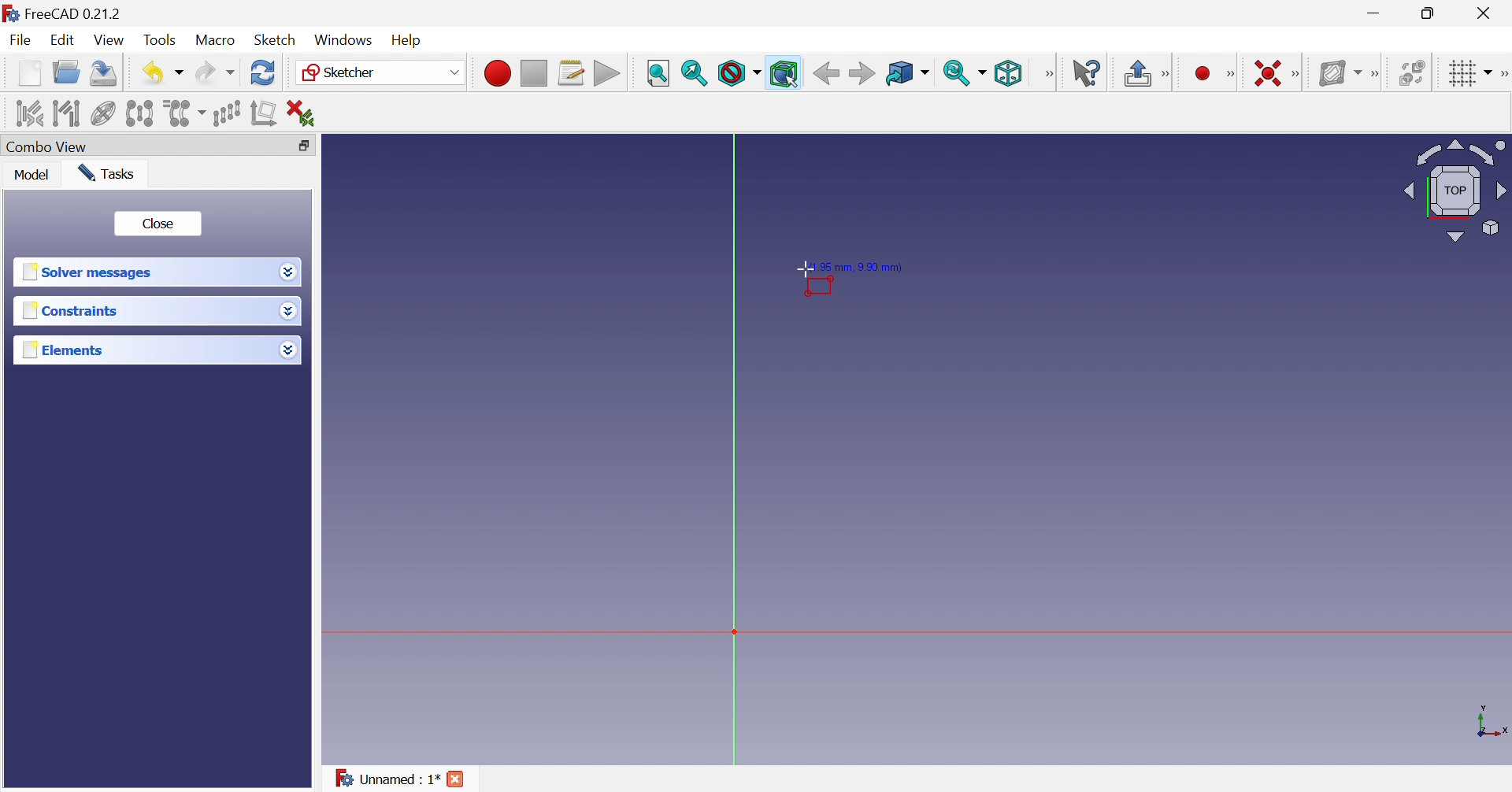  I want to click on What's this, so click(1091, 72).